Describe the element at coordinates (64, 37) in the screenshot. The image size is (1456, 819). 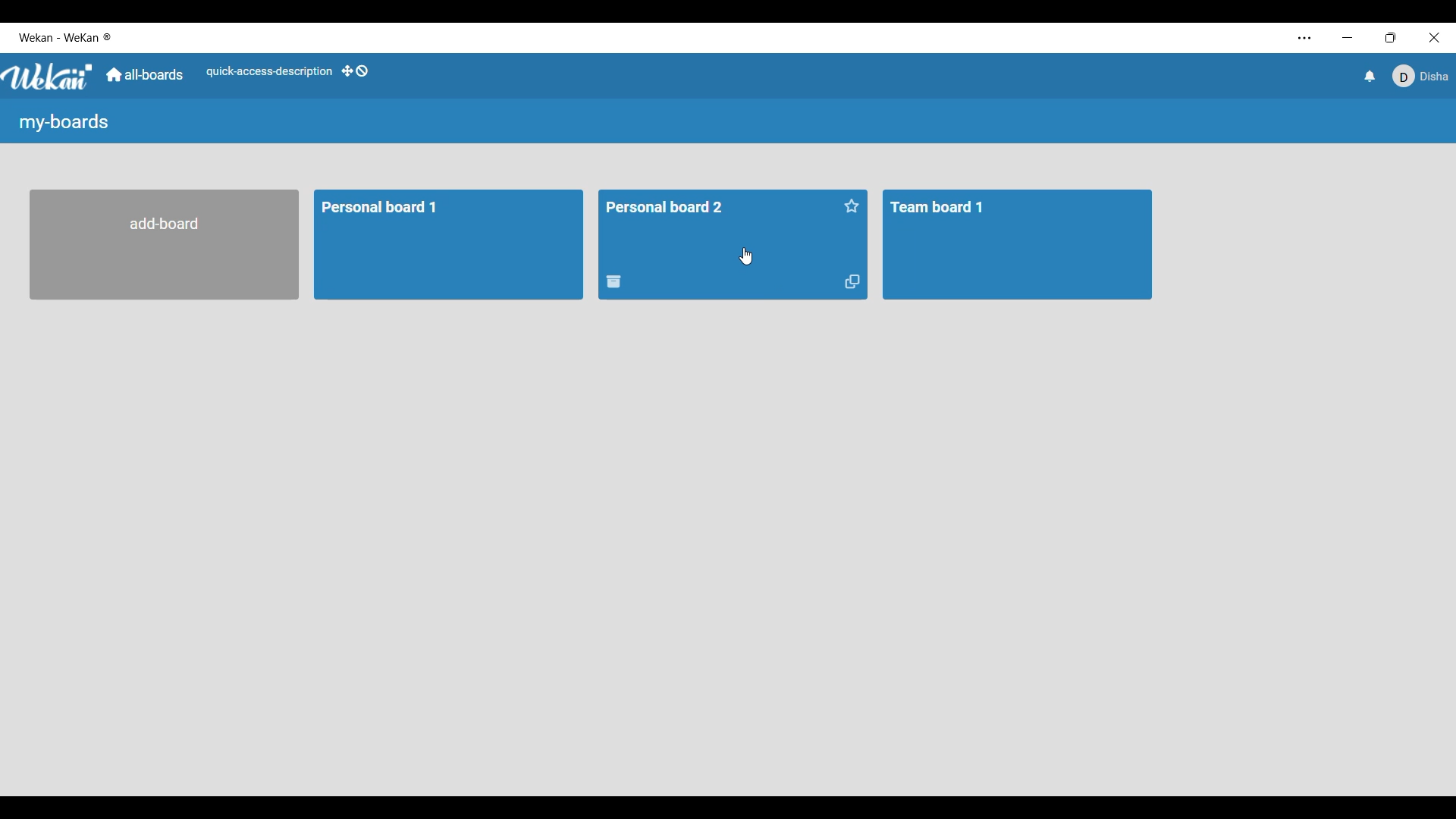
I see `Software name` at that location.